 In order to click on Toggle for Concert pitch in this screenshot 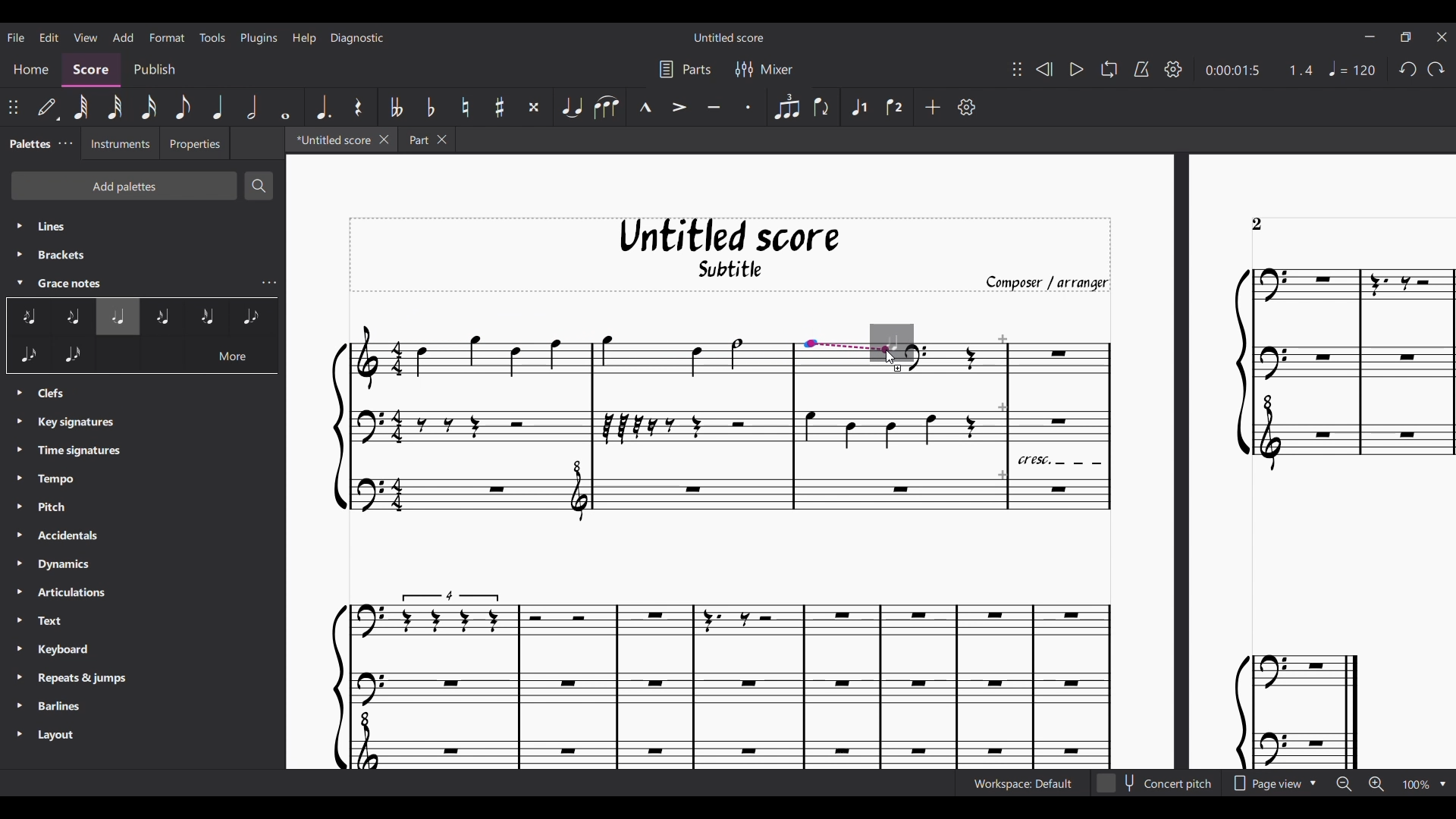, I will do `click(1156, 783)`.